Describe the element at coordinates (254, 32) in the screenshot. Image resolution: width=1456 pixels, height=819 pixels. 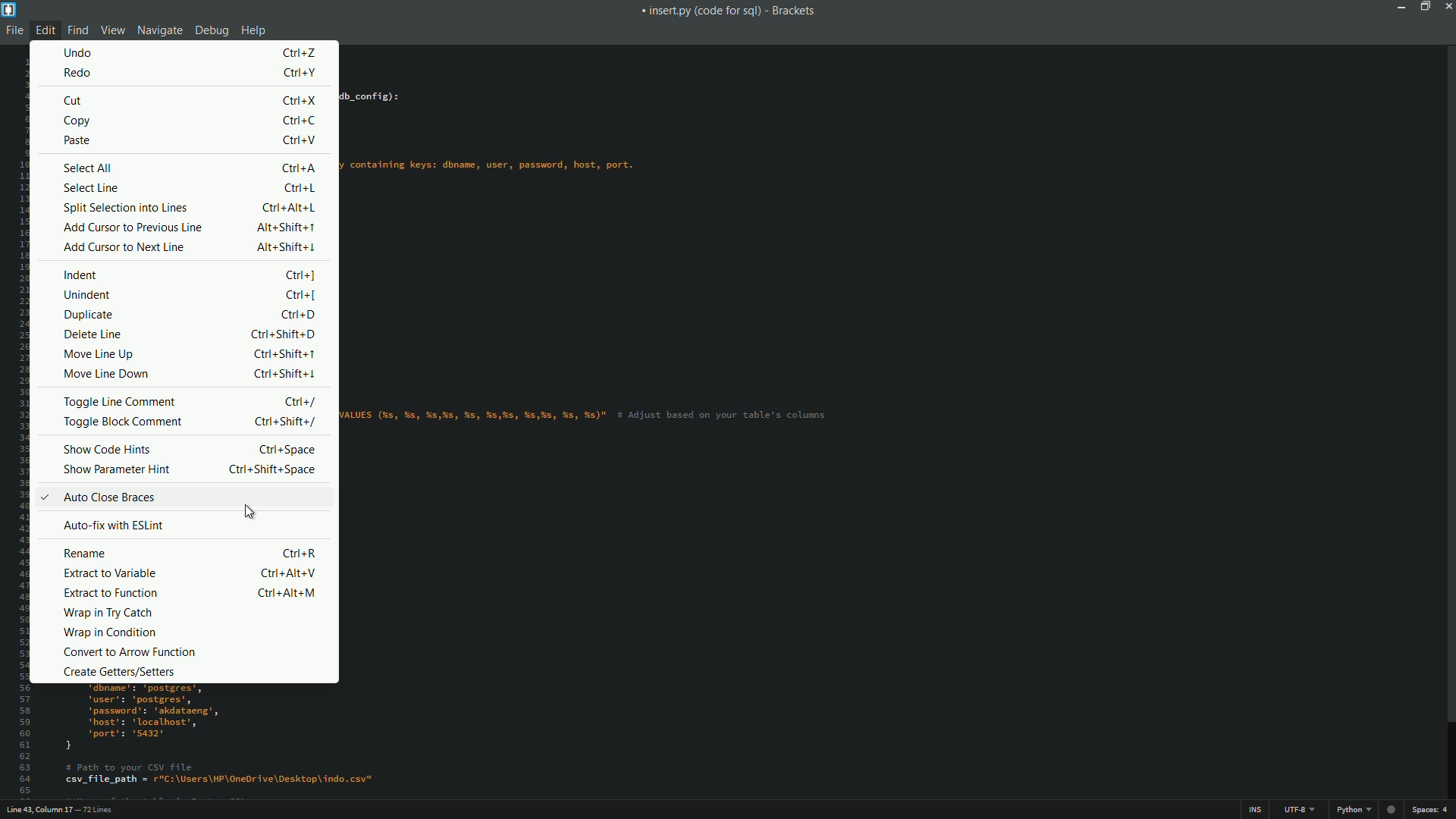
I see `help menu` at that location.